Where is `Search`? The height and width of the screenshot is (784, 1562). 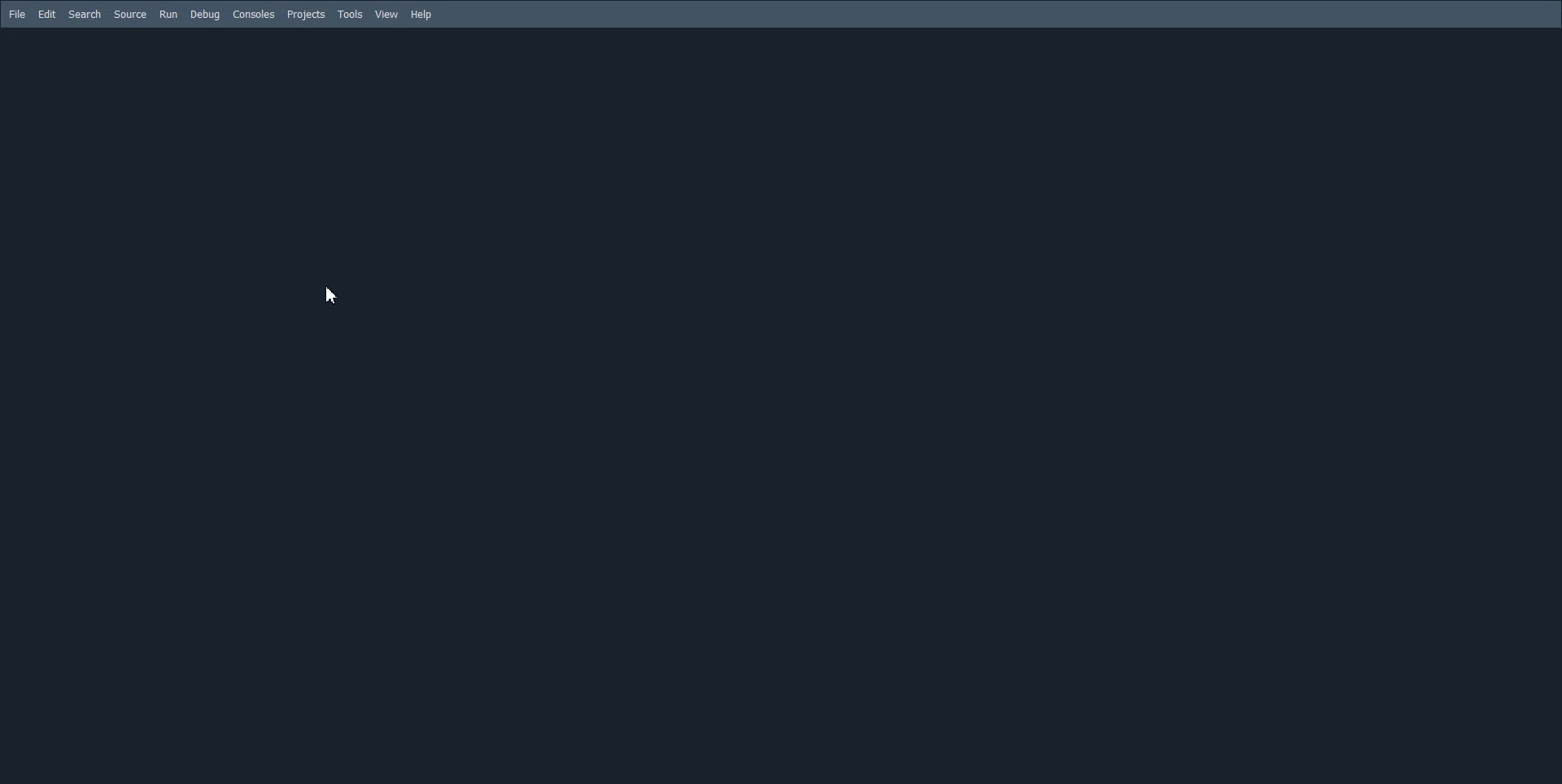
Search is located at coordinates (85, 15).